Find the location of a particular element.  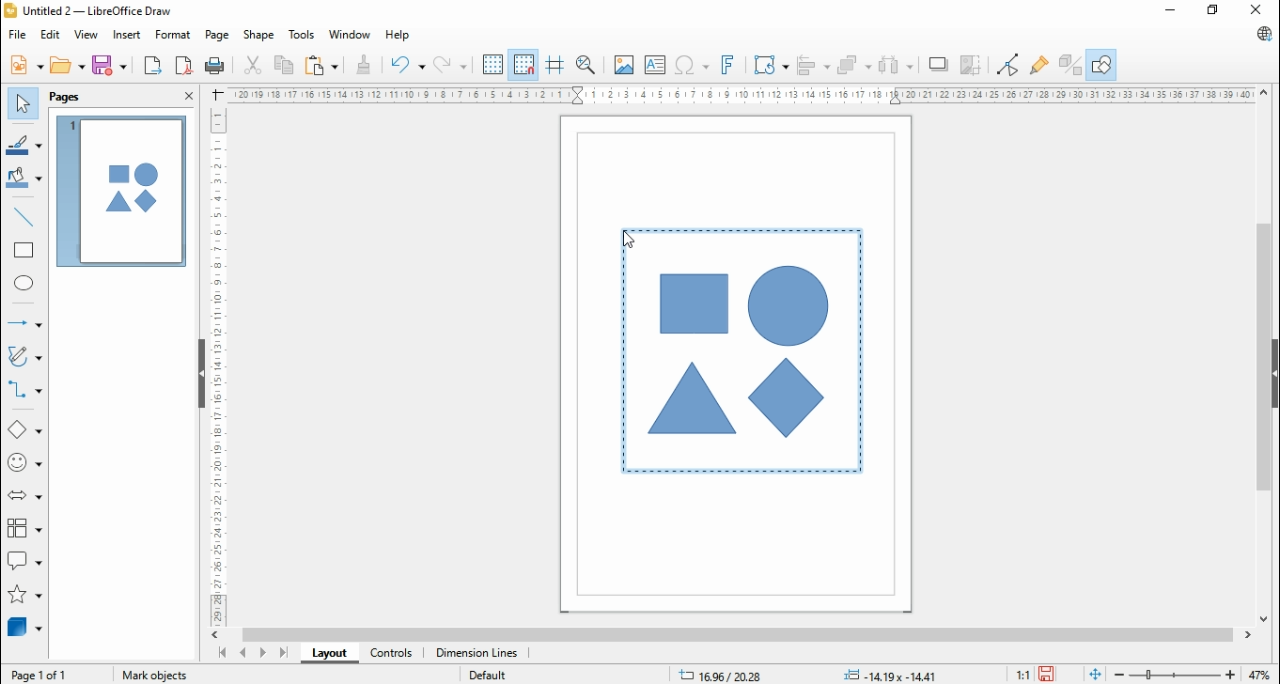

clone formattings is located at coordinates (363, 65).